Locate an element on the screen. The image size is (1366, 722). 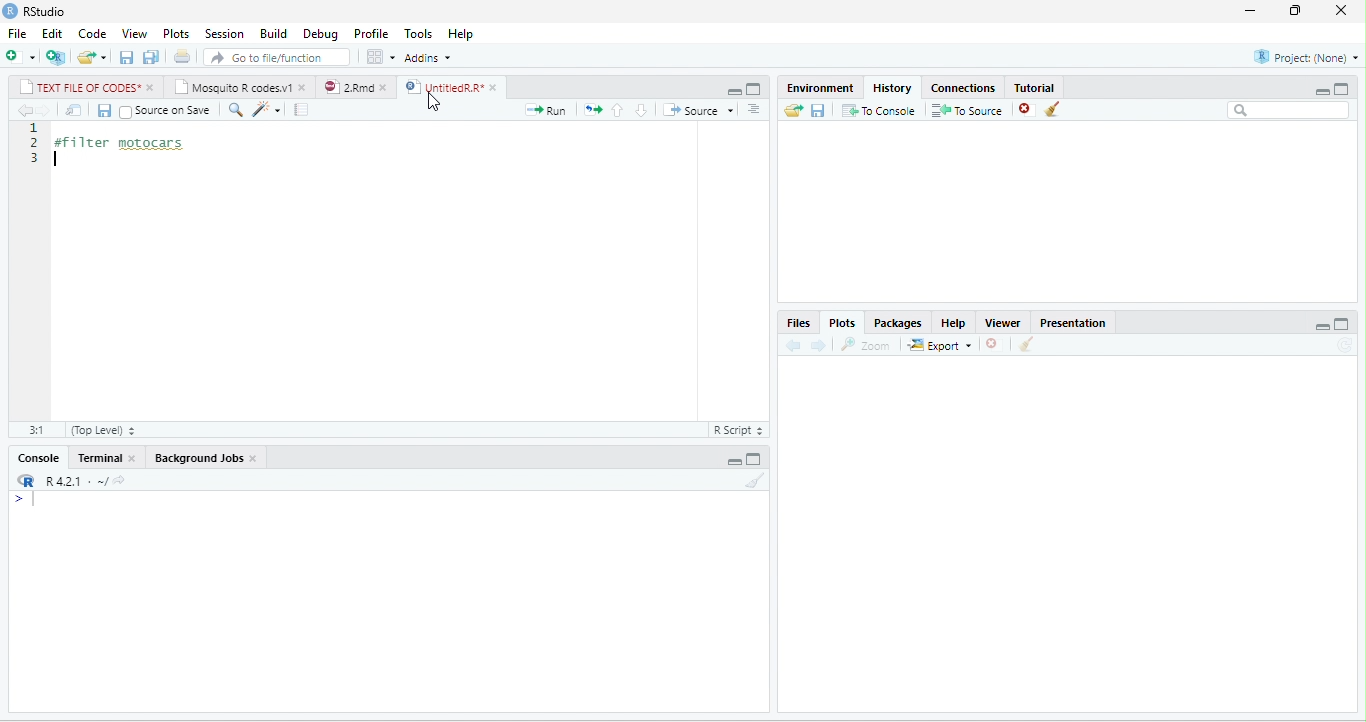
close is located at coordinates (1341, 10).